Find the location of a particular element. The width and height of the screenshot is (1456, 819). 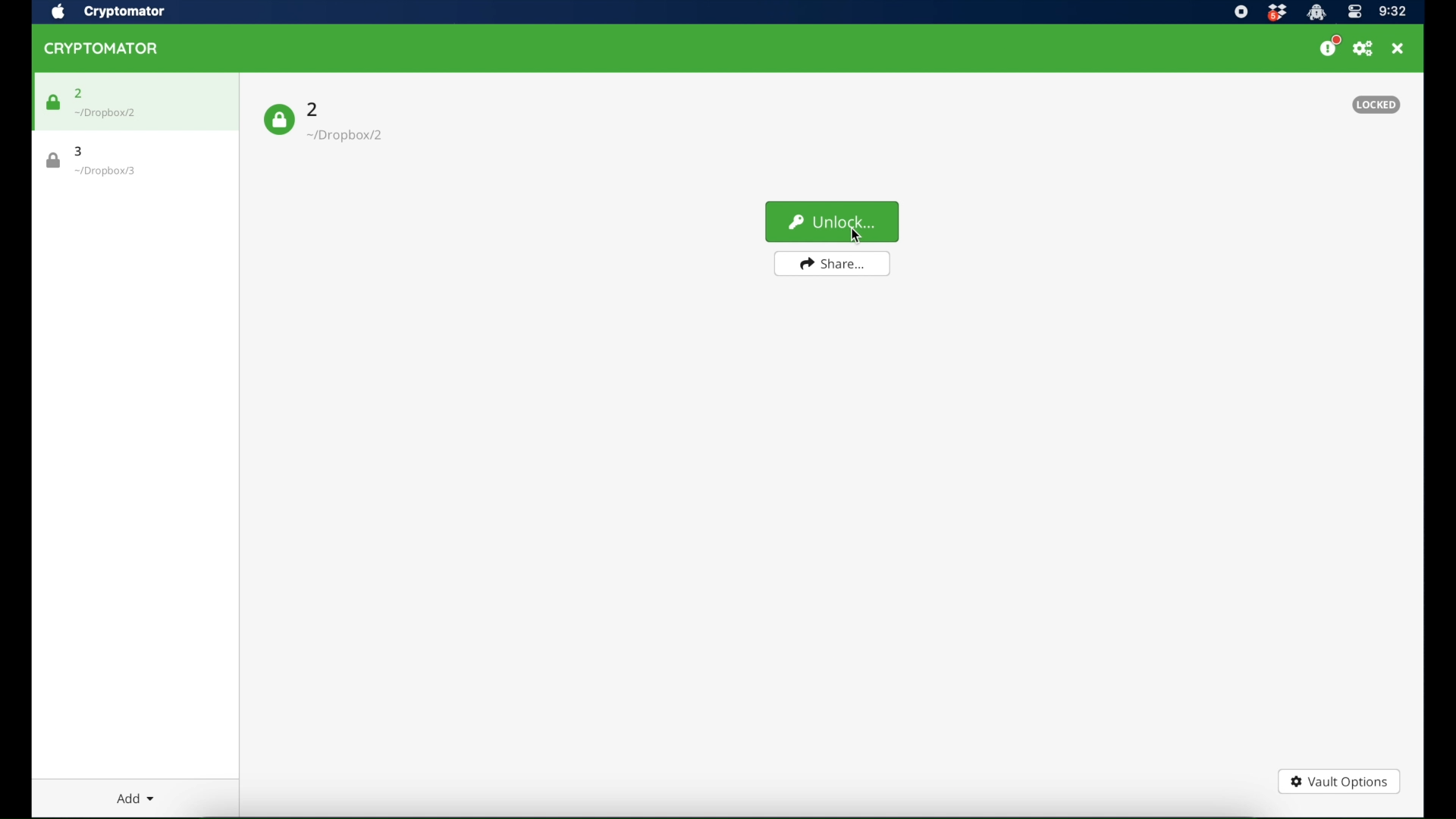

add  dropdown is located at coordinates (135, 798).